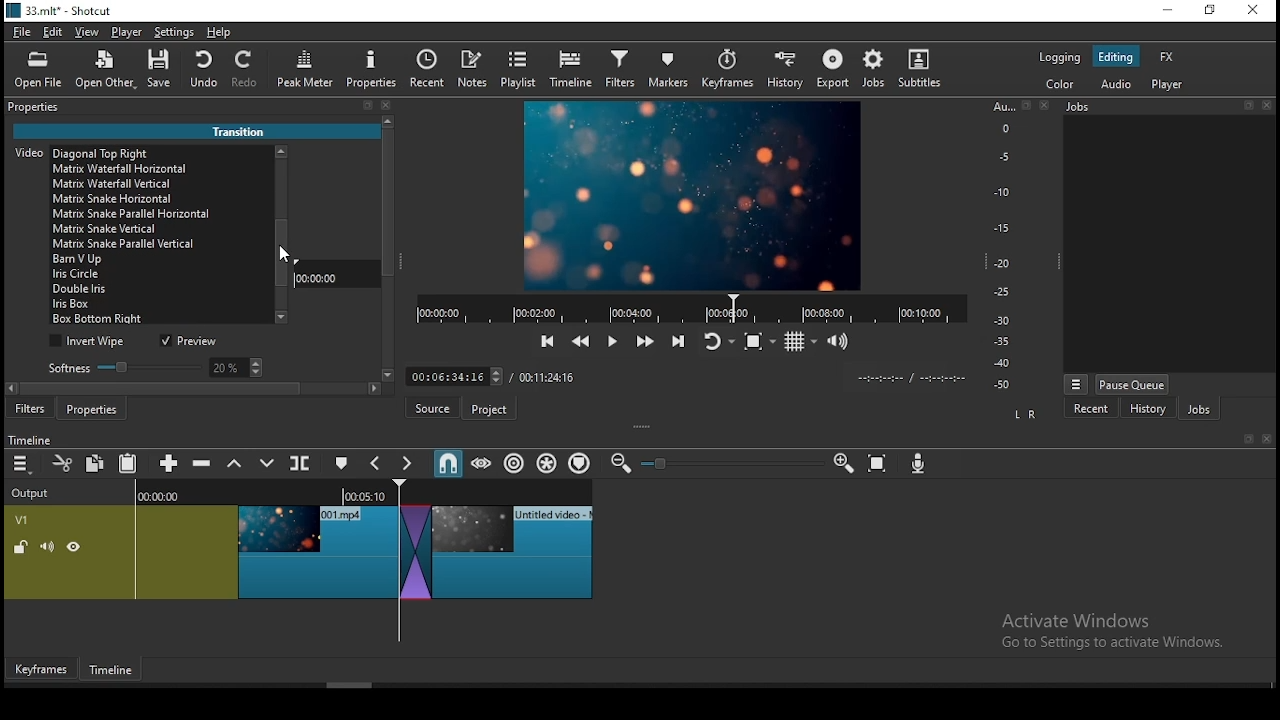 The height and width of the screenshot is (720, 1280). I want to click on player, so click(1168, 86).